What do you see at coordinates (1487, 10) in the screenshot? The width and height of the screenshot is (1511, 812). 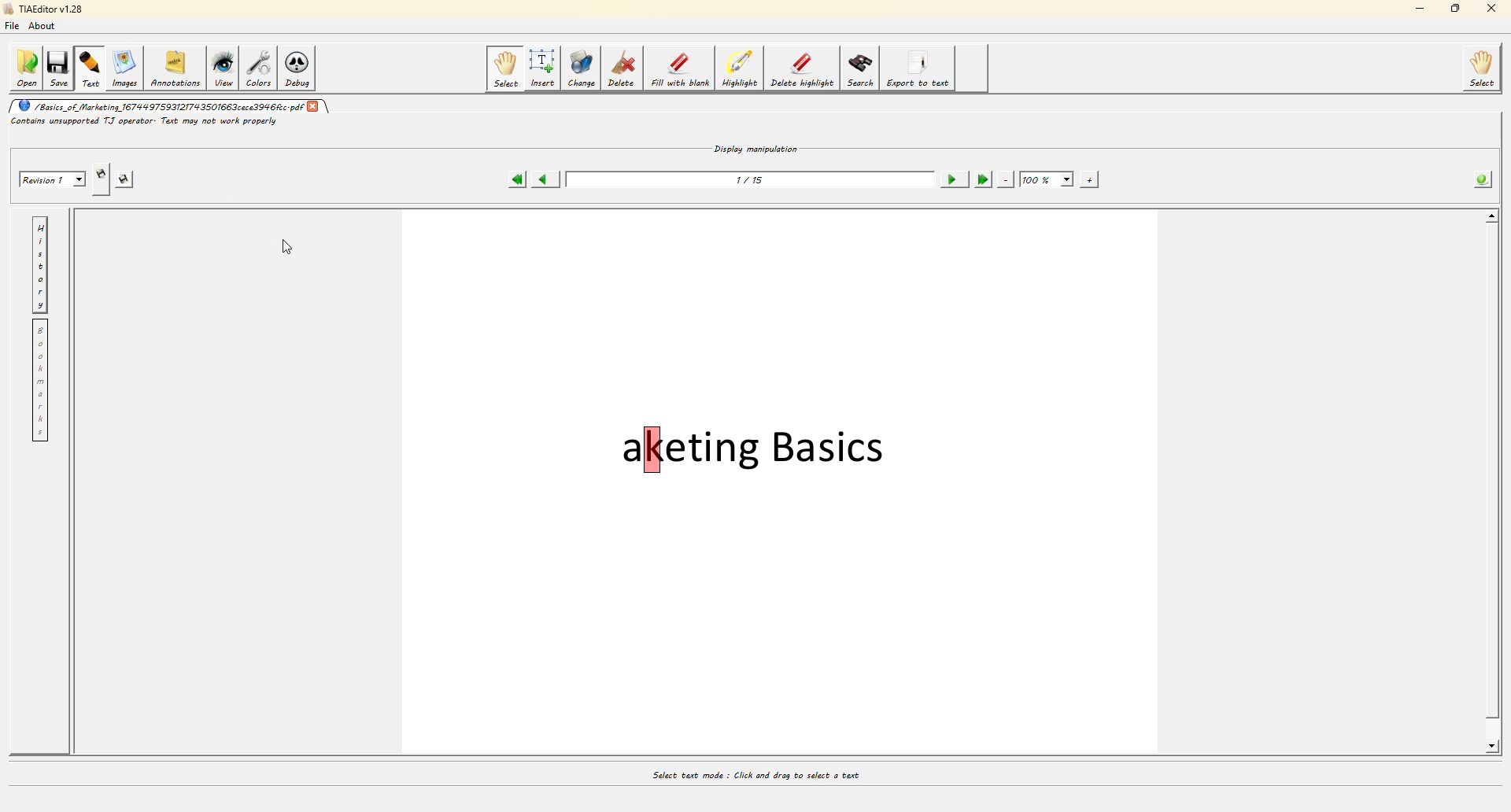 I see `close` at bounding box center [1487, 10].